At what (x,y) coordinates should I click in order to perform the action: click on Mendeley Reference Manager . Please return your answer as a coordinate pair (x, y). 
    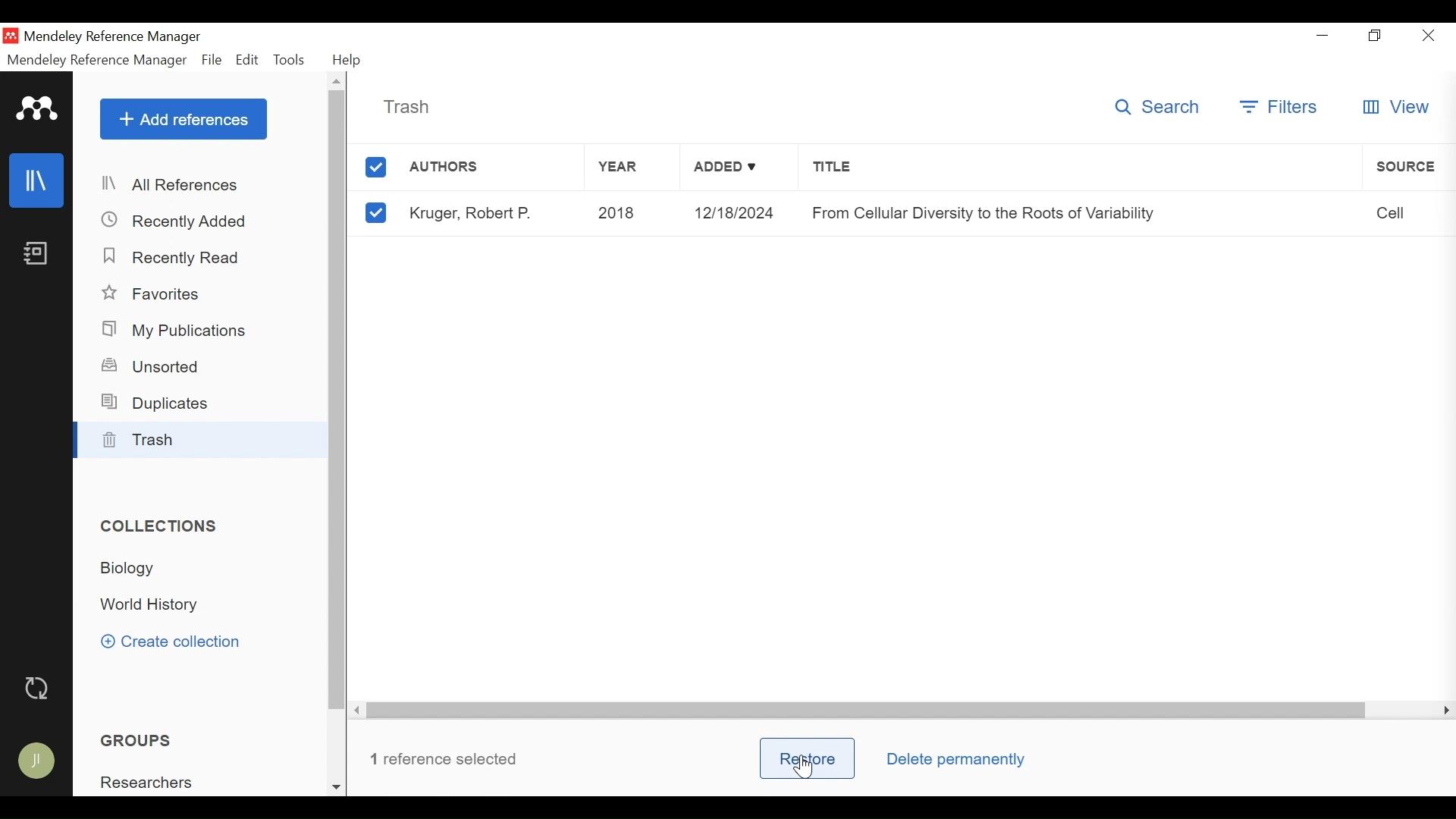
    Looking at the image, I should click on (95, 60).